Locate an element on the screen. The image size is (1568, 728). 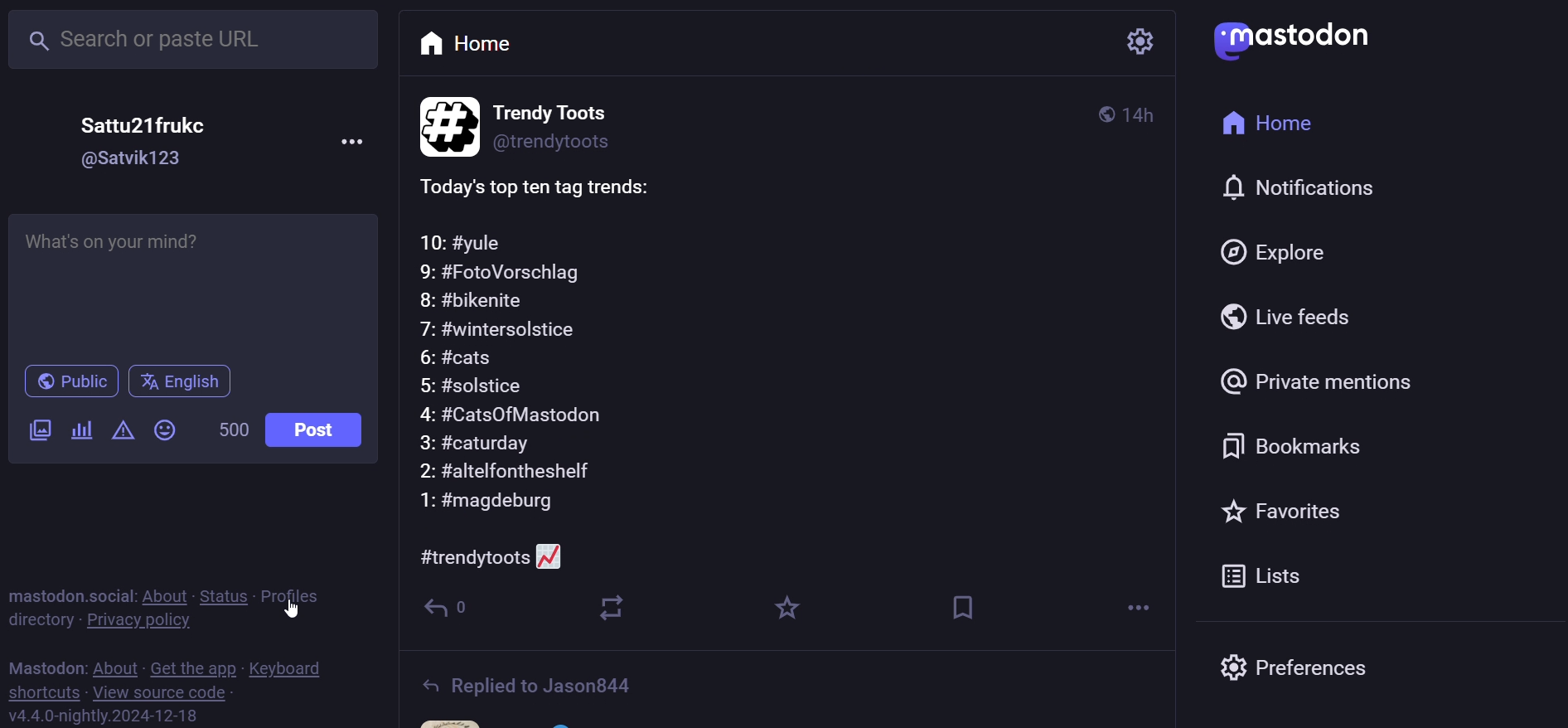
about is located at coordinates (165, 595).